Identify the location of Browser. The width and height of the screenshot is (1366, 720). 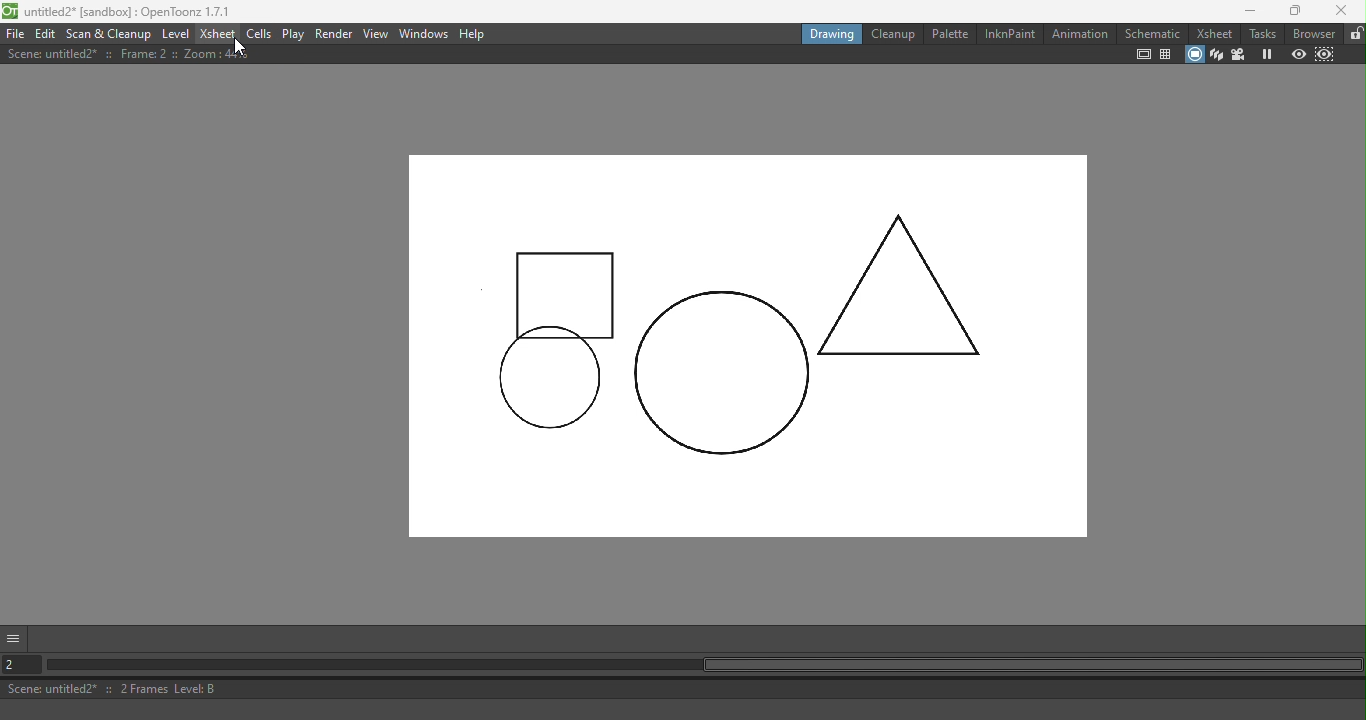
(1314, 33).